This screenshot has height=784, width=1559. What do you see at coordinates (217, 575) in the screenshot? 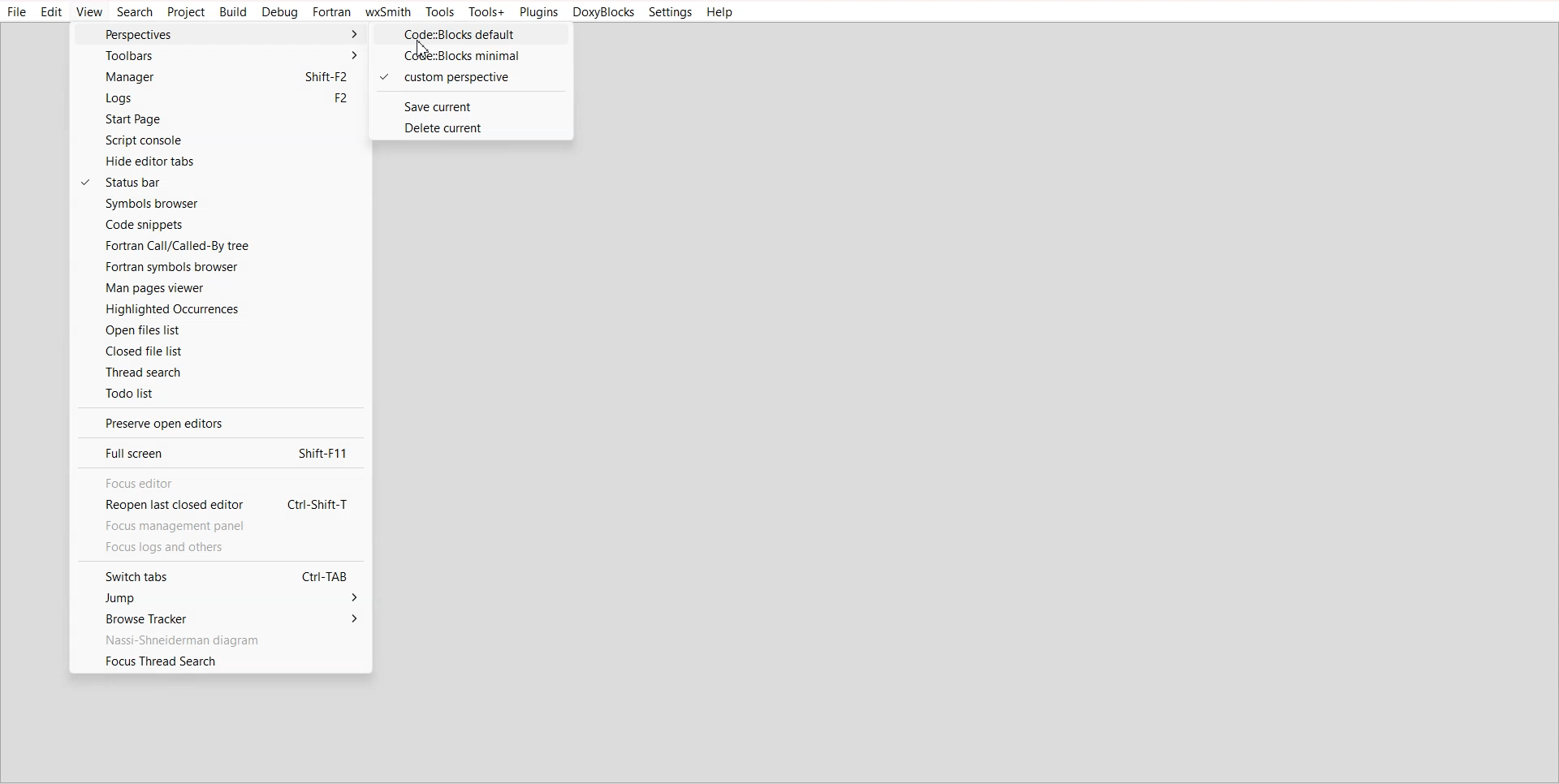
I see `Switch tabs` at bounding box center [217, 575].